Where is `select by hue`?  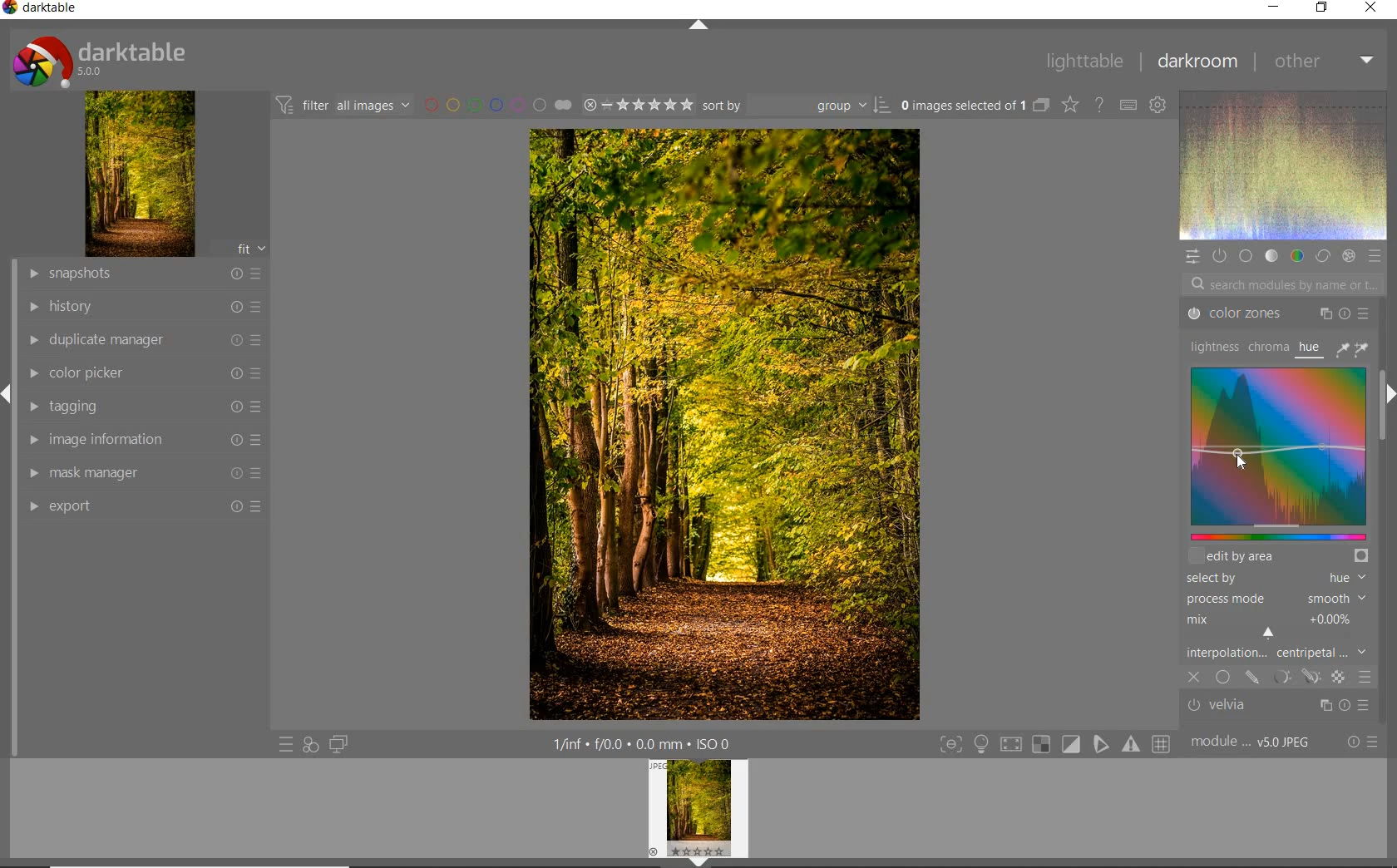 select by hue is located at coordinates (1274, 577).